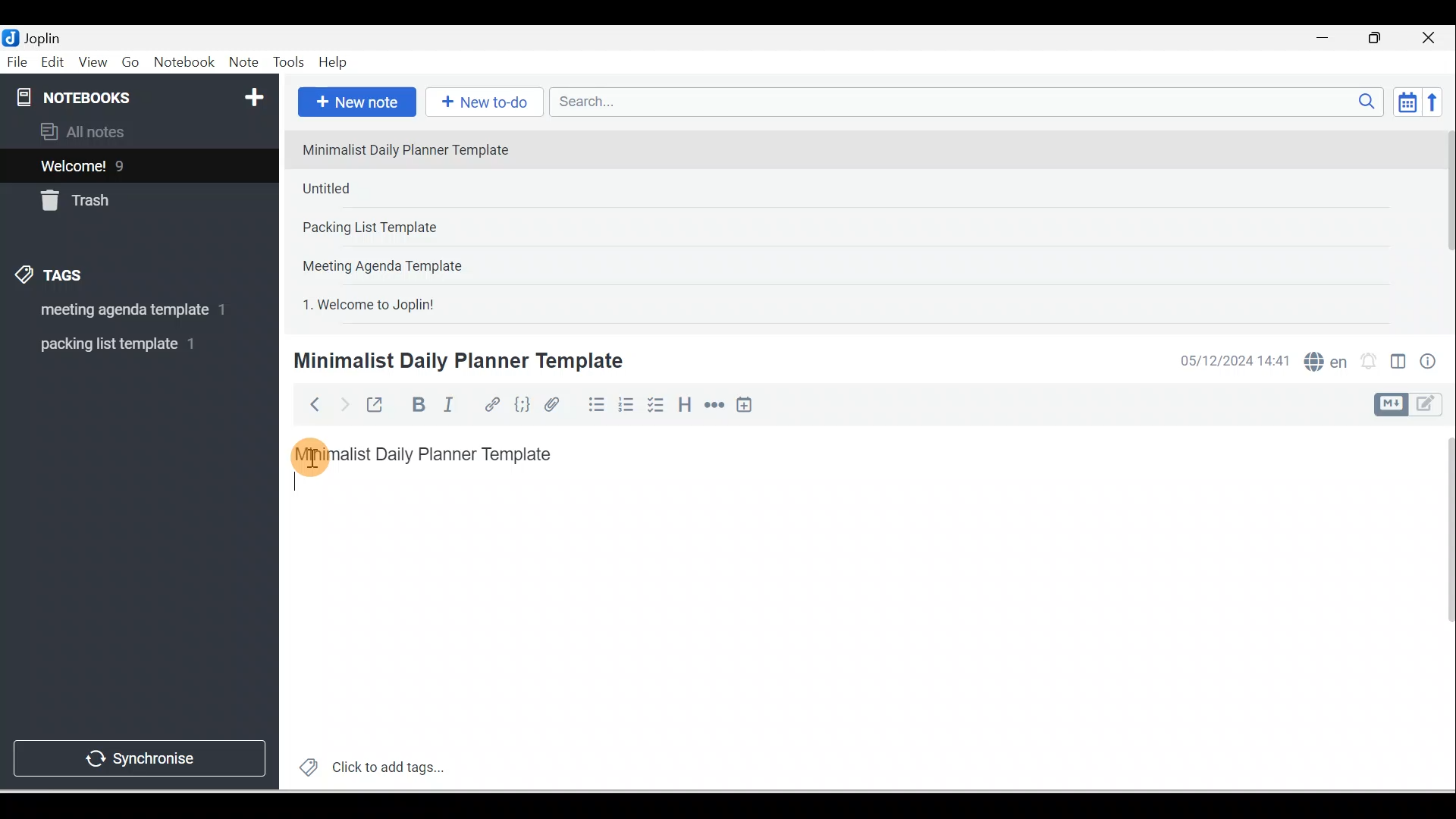 This screenshot has height=819, width=1456. Describe the element at coordinates (684, 403) in the screenshot. I see `Heading` at that location.